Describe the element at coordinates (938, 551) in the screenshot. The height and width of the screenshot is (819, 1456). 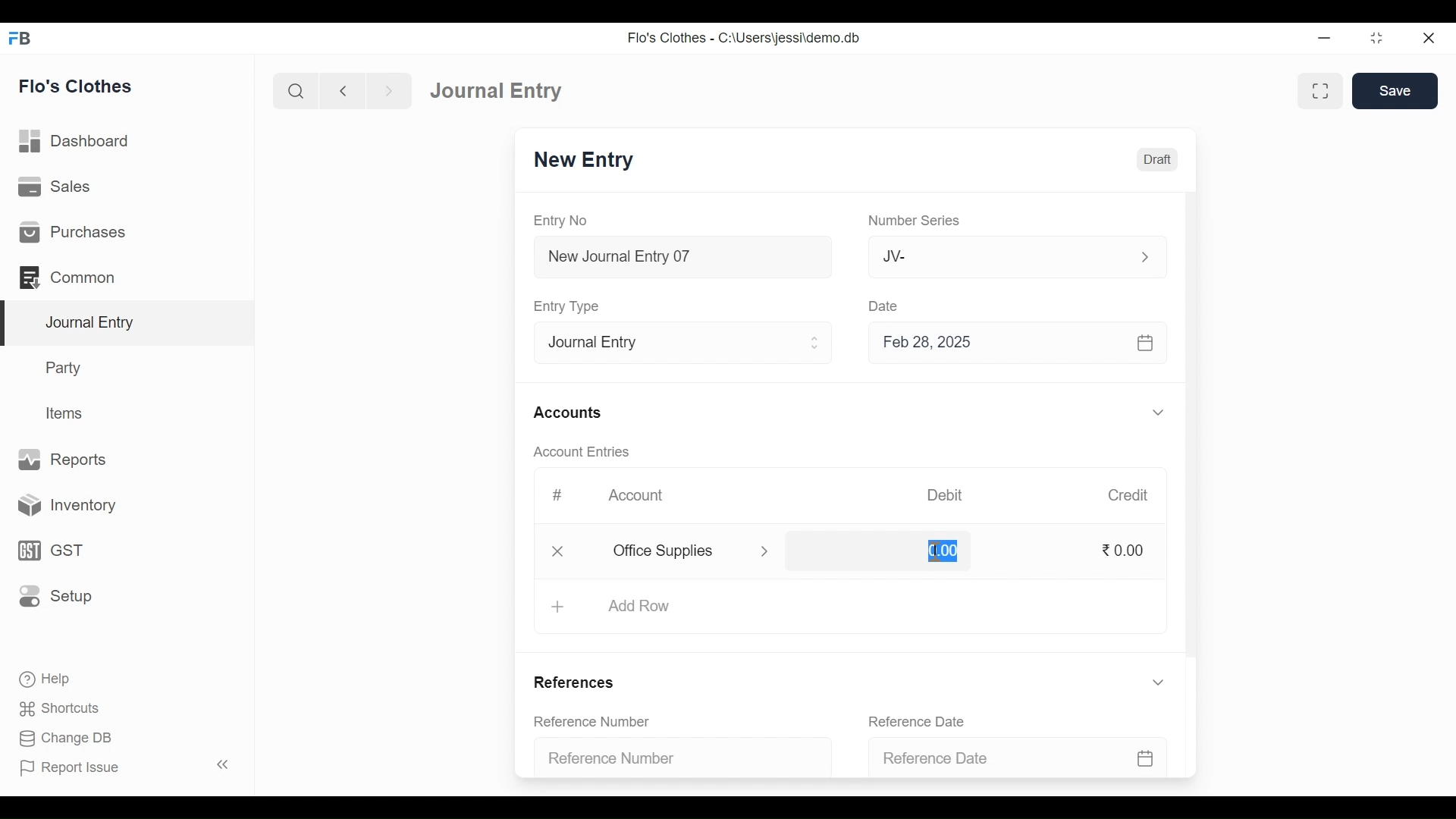
I see `Text Cursor` at that location.